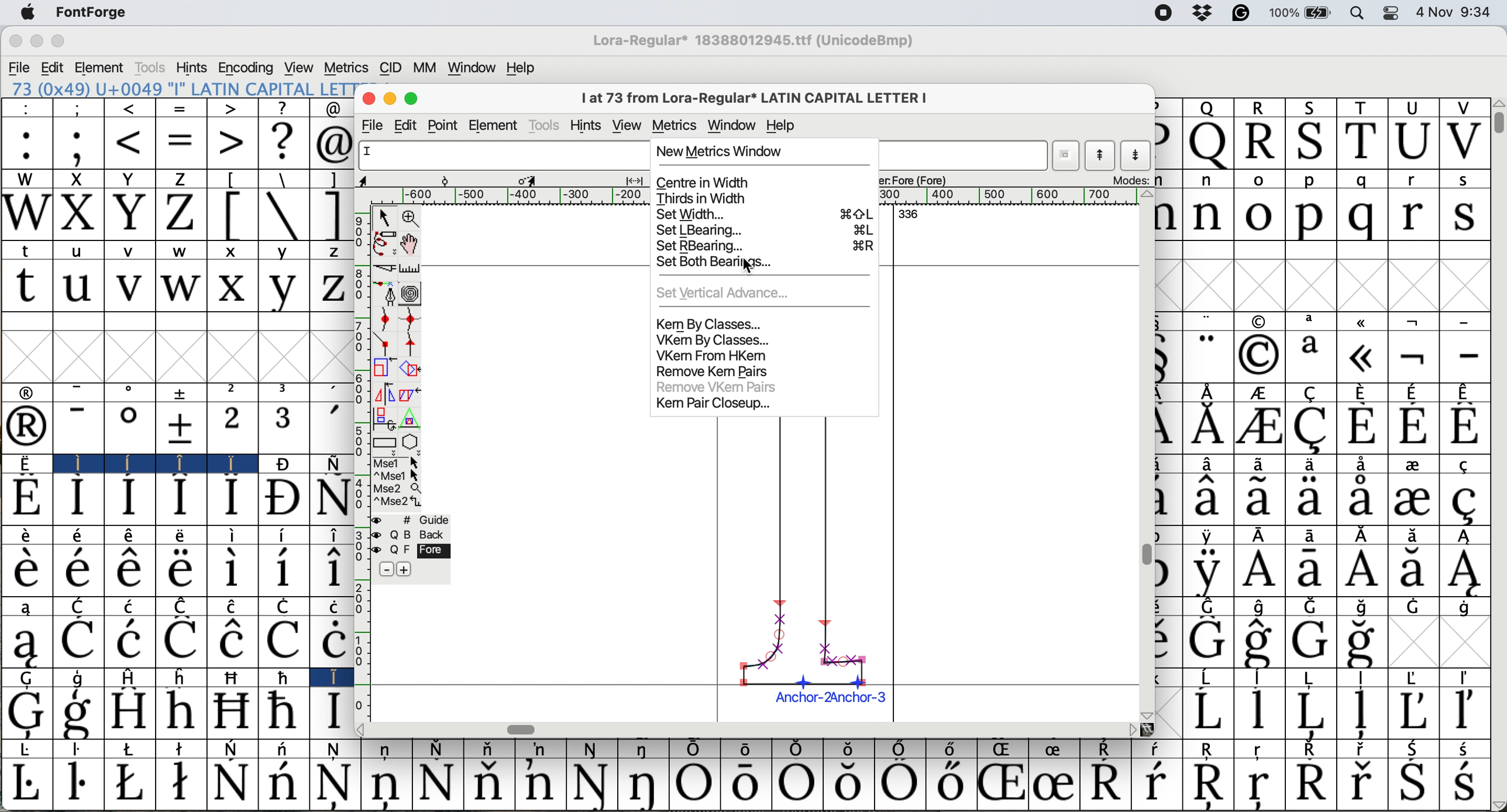 This screenshot has width=1507, height=812. What do you see at coordinates (368, 730) in the screenshot?
I see `` at bounding box center [368, 730].